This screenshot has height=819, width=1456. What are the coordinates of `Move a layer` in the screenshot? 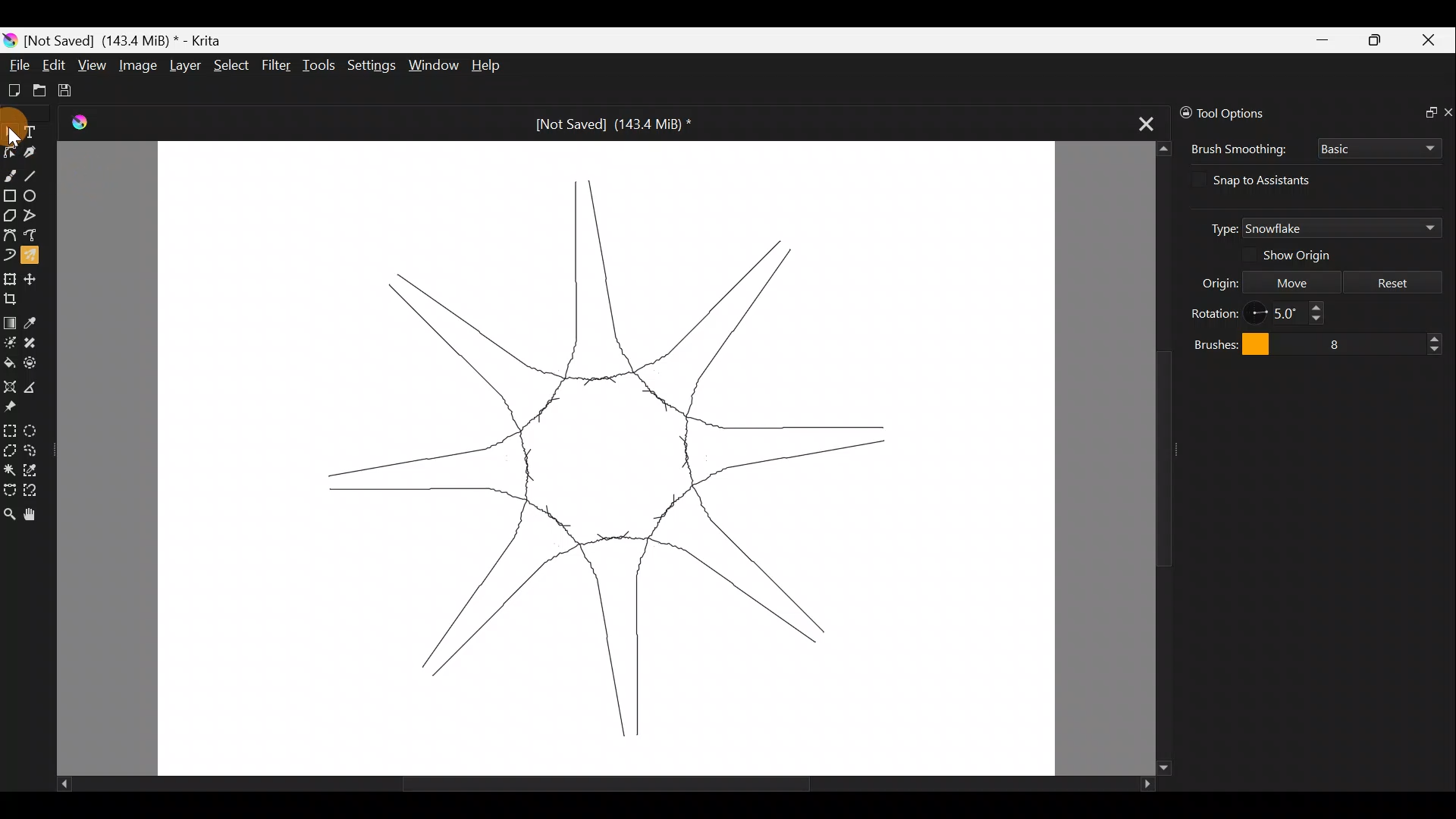 It's located at (33, 278).